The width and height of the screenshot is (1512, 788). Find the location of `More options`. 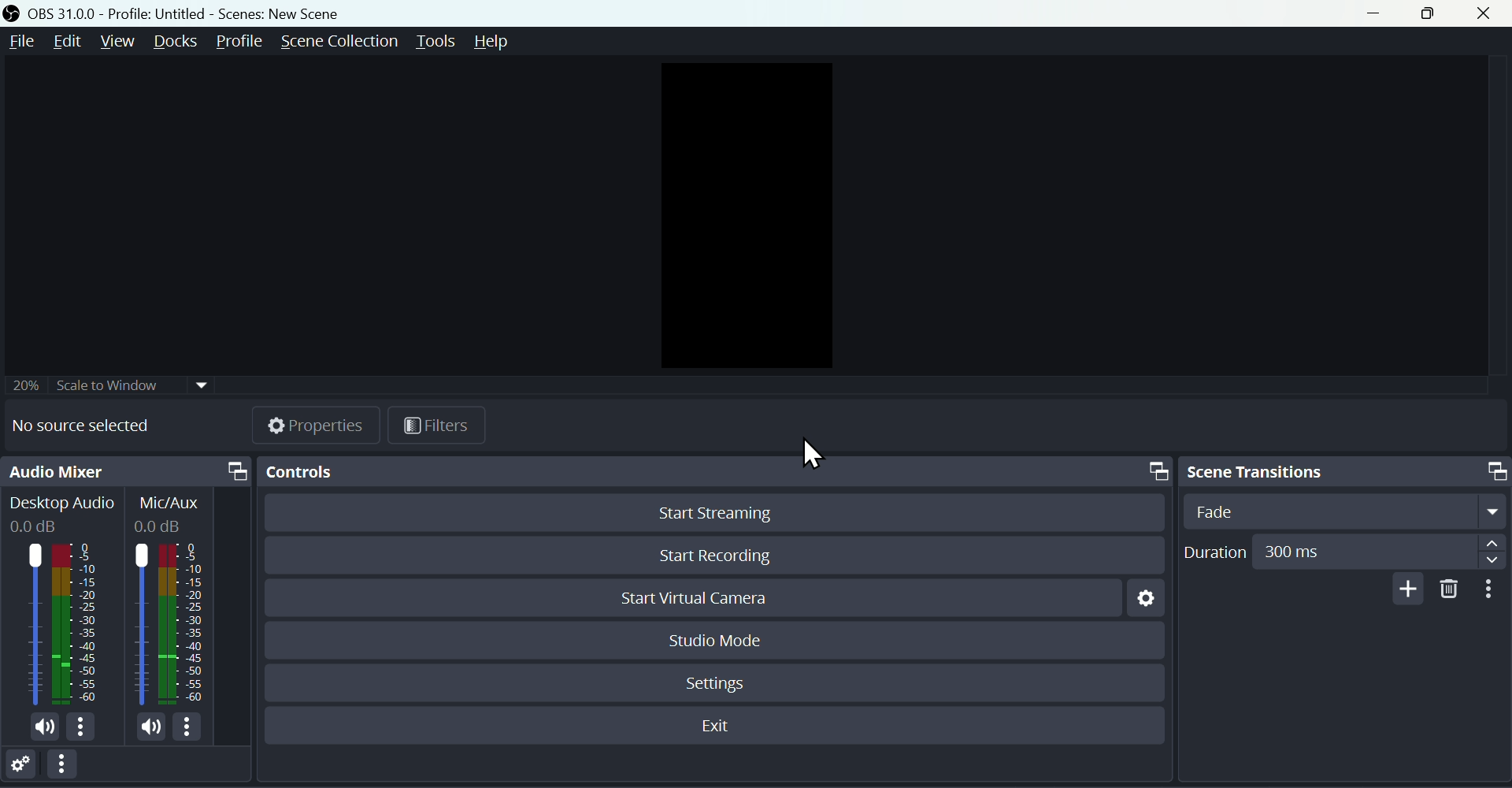

More options is located at coordinates (70, 768).